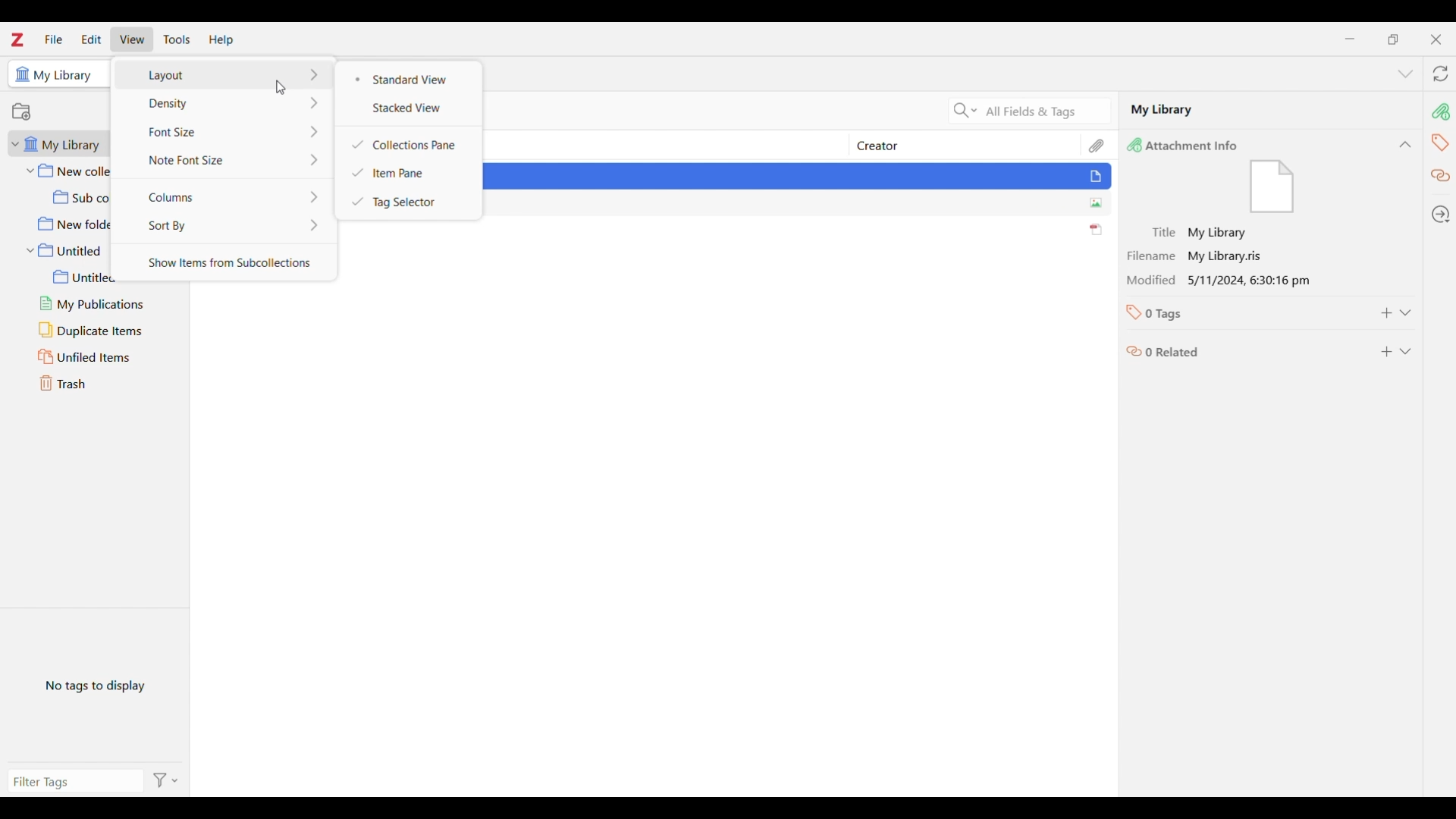  Describe the element at coordinates (950, 145) in the screenshot. I see `Creator column` at that location.